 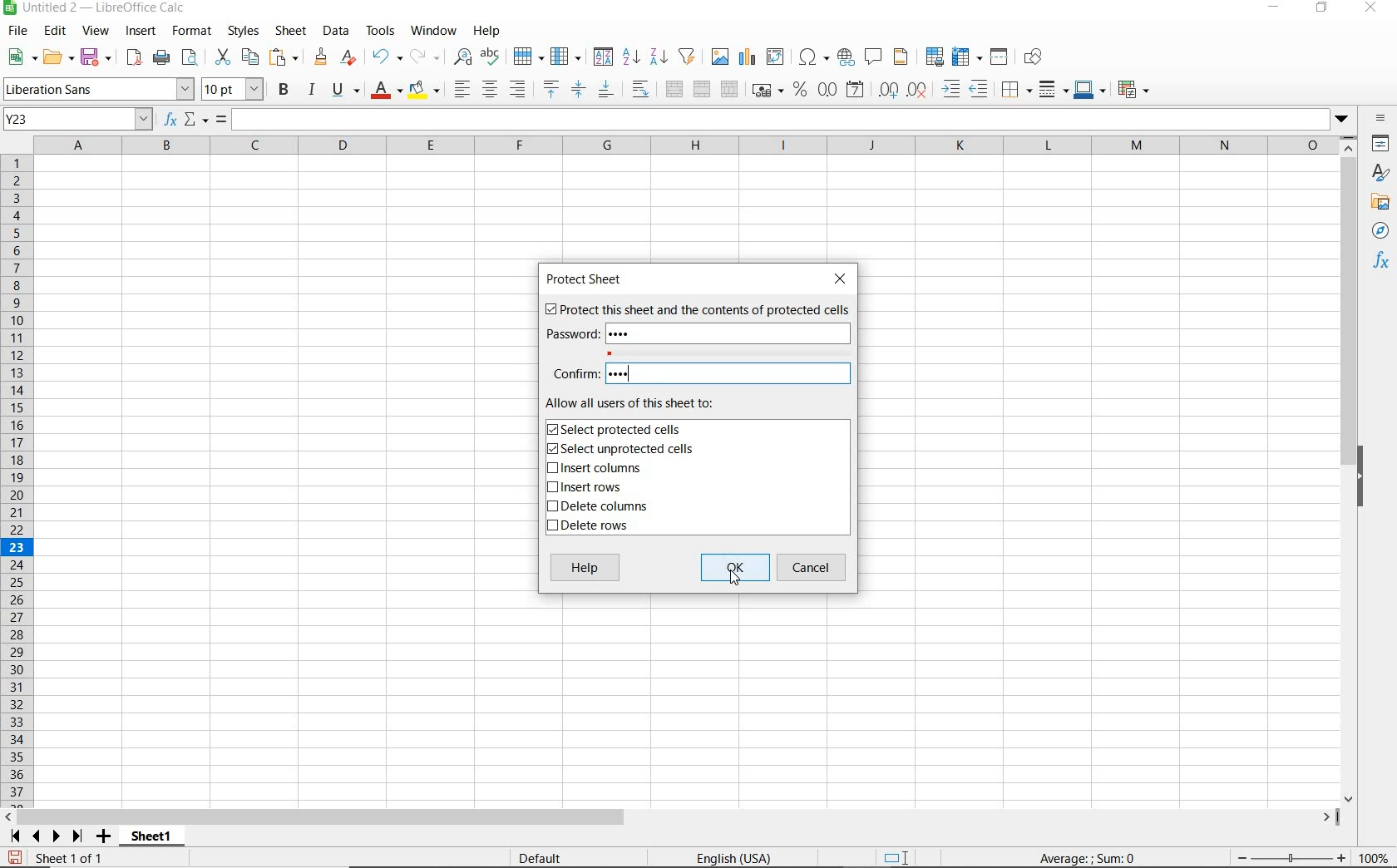 What do you see at coordinates (1382, 229) in the screenshot?
I see `navigator` at bounding box center [1382, 229].